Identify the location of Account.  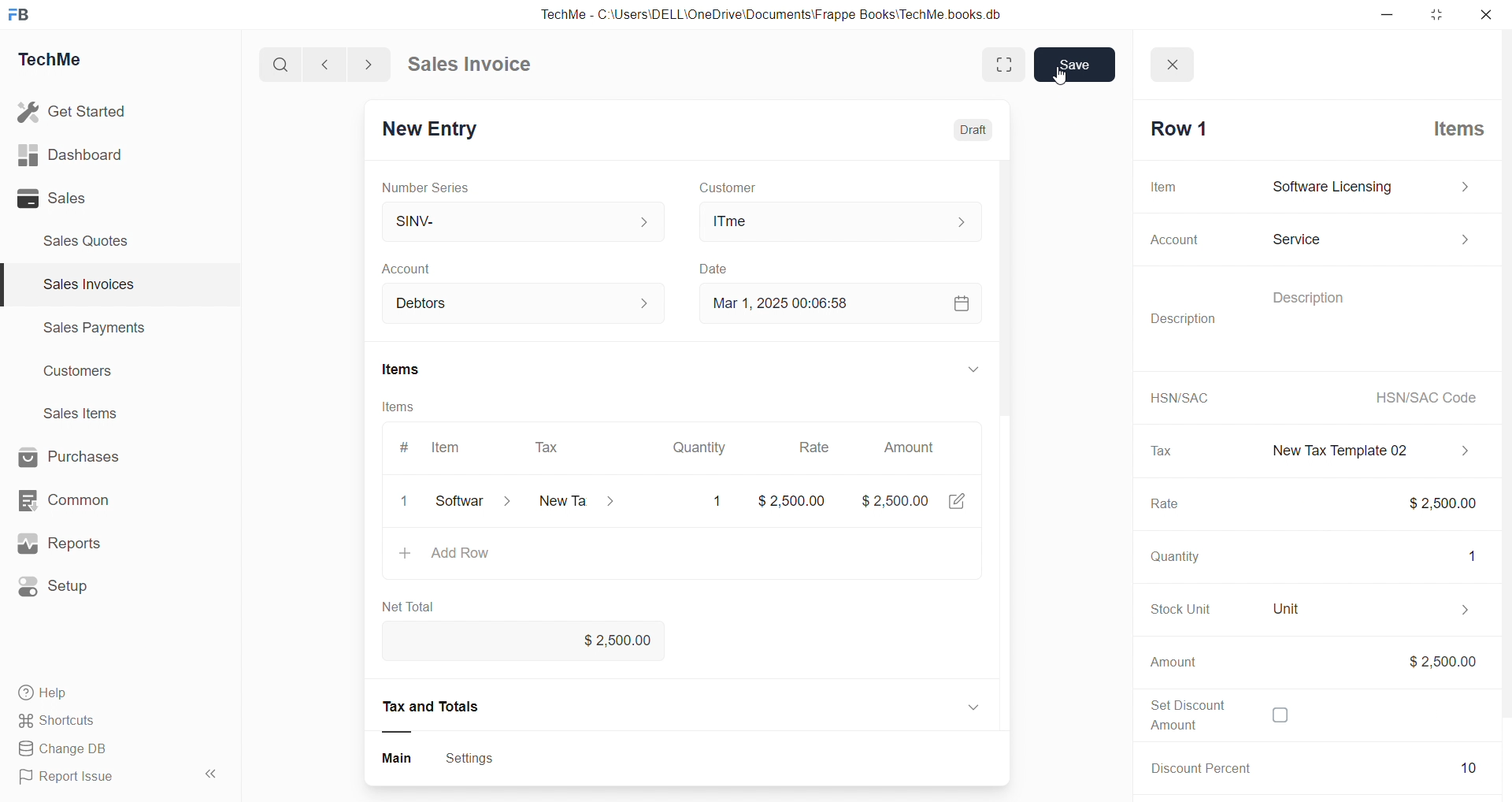
(416, 266).